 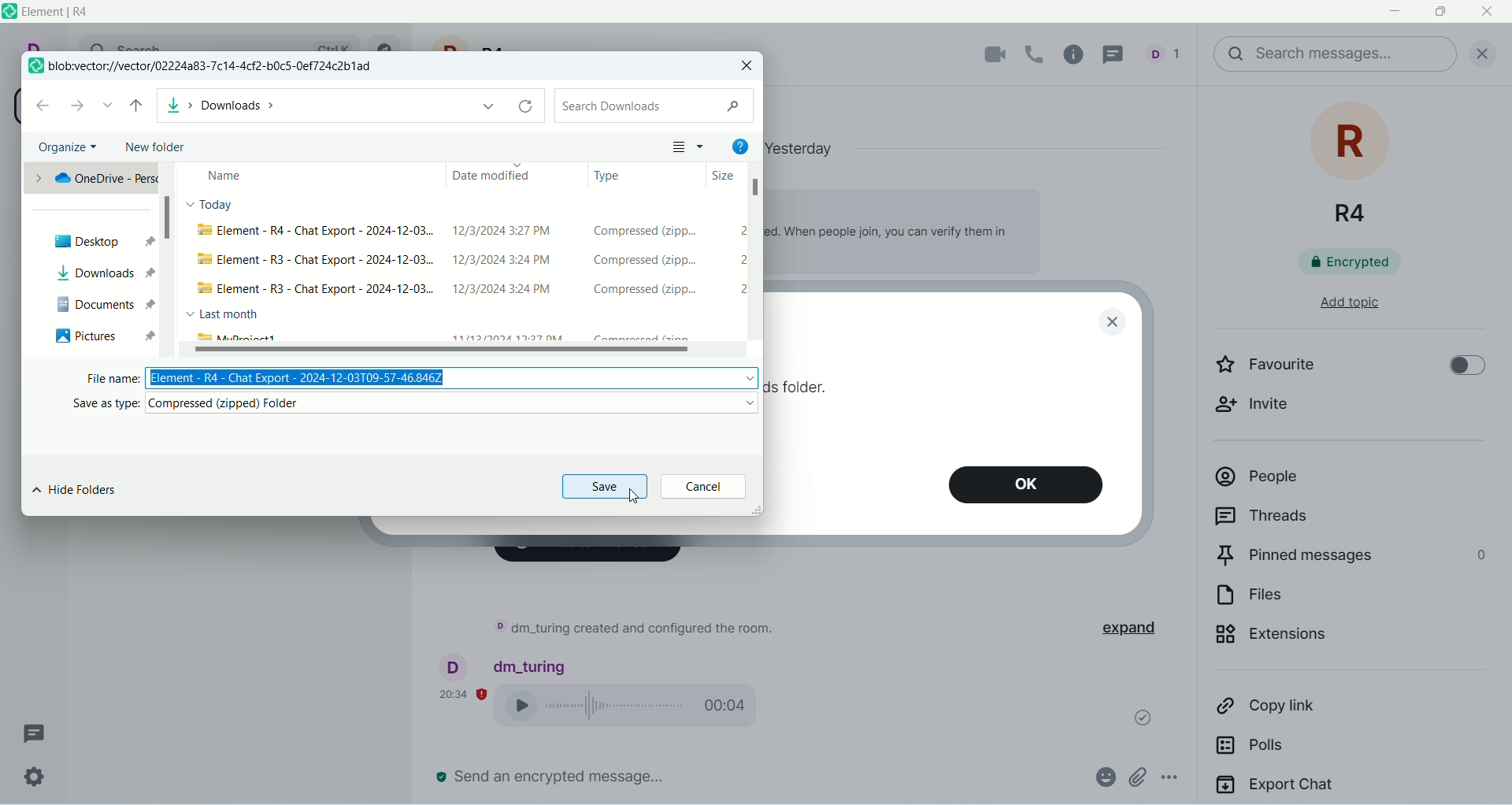 I want to click on save, so click(x=606, y=488).